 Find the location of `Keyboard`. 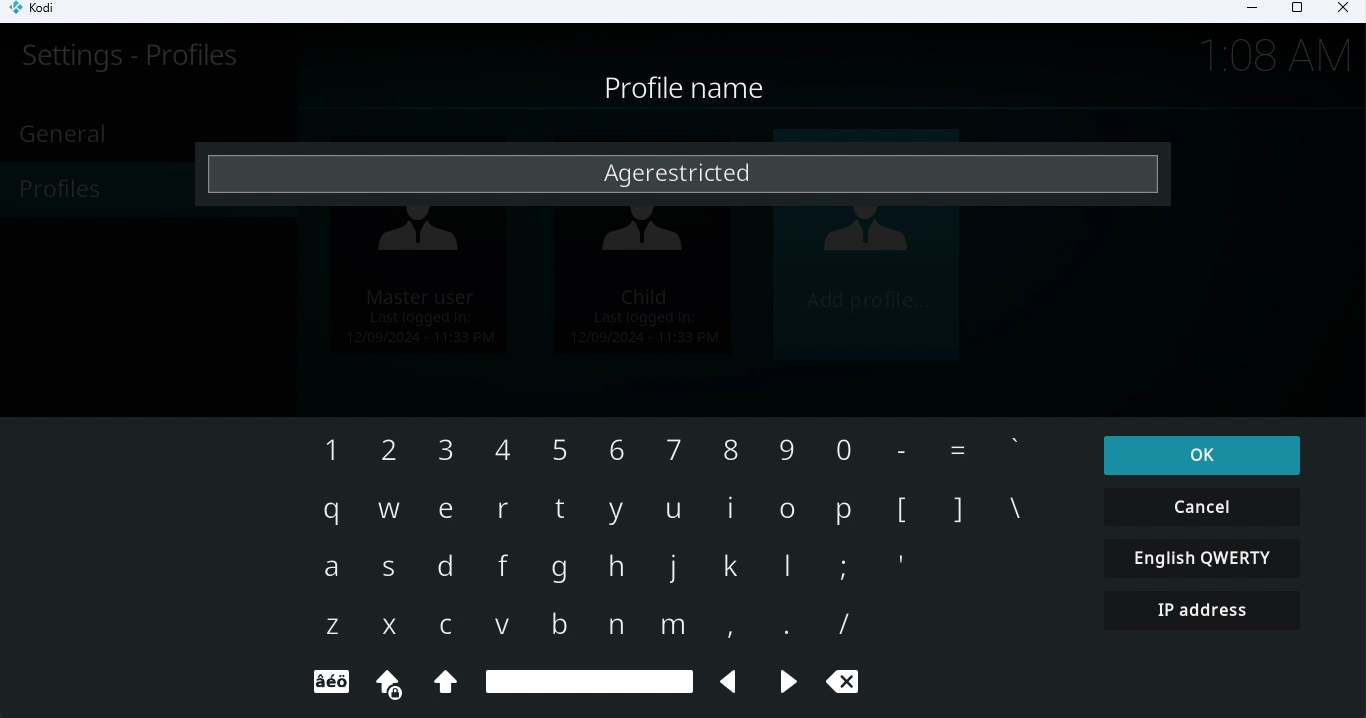

Keyboard is located at coordinates (573, 564).